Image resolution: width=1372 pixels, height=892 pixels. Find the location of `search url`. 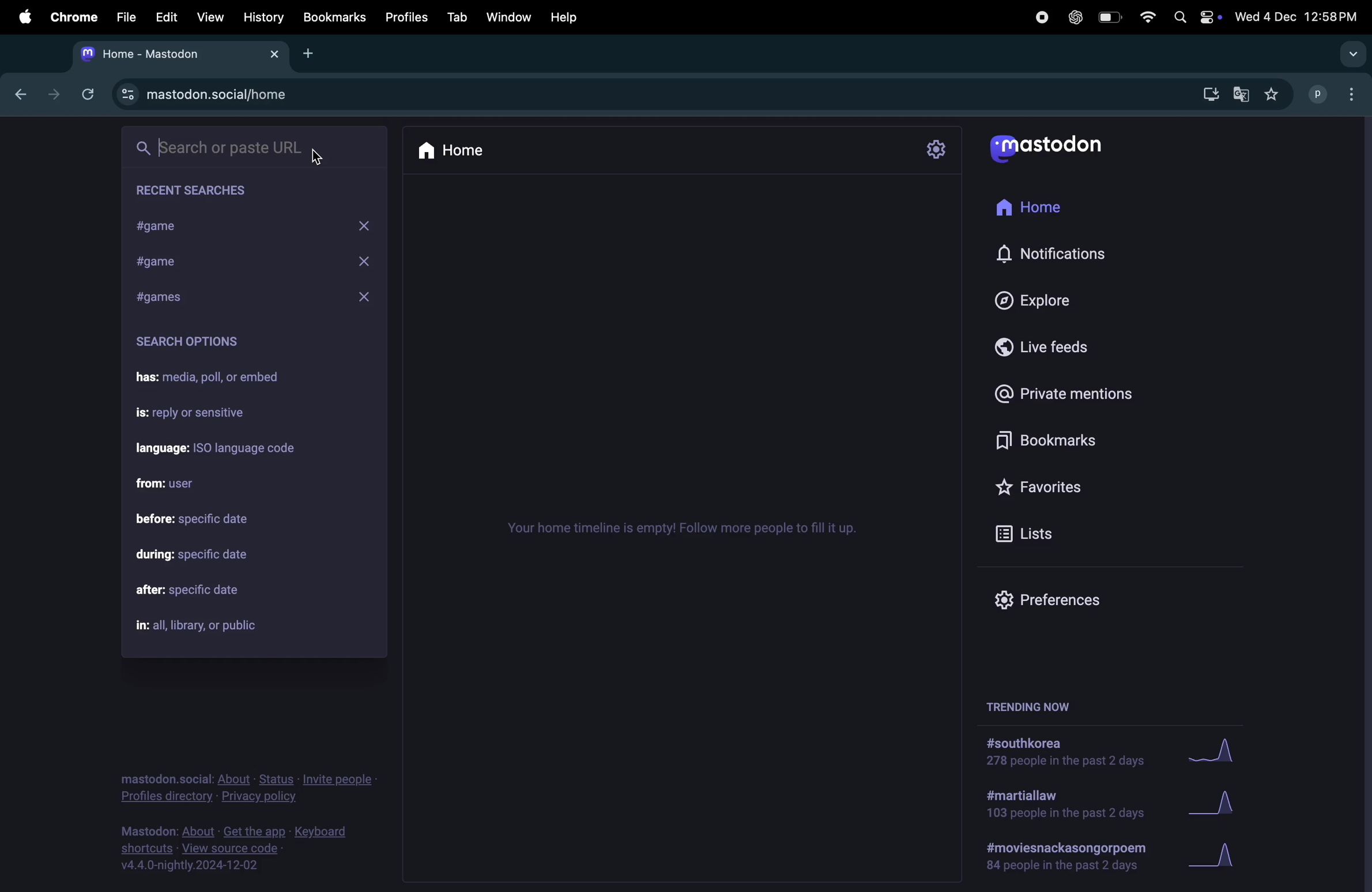

search url is located at coordinates (255, 147).